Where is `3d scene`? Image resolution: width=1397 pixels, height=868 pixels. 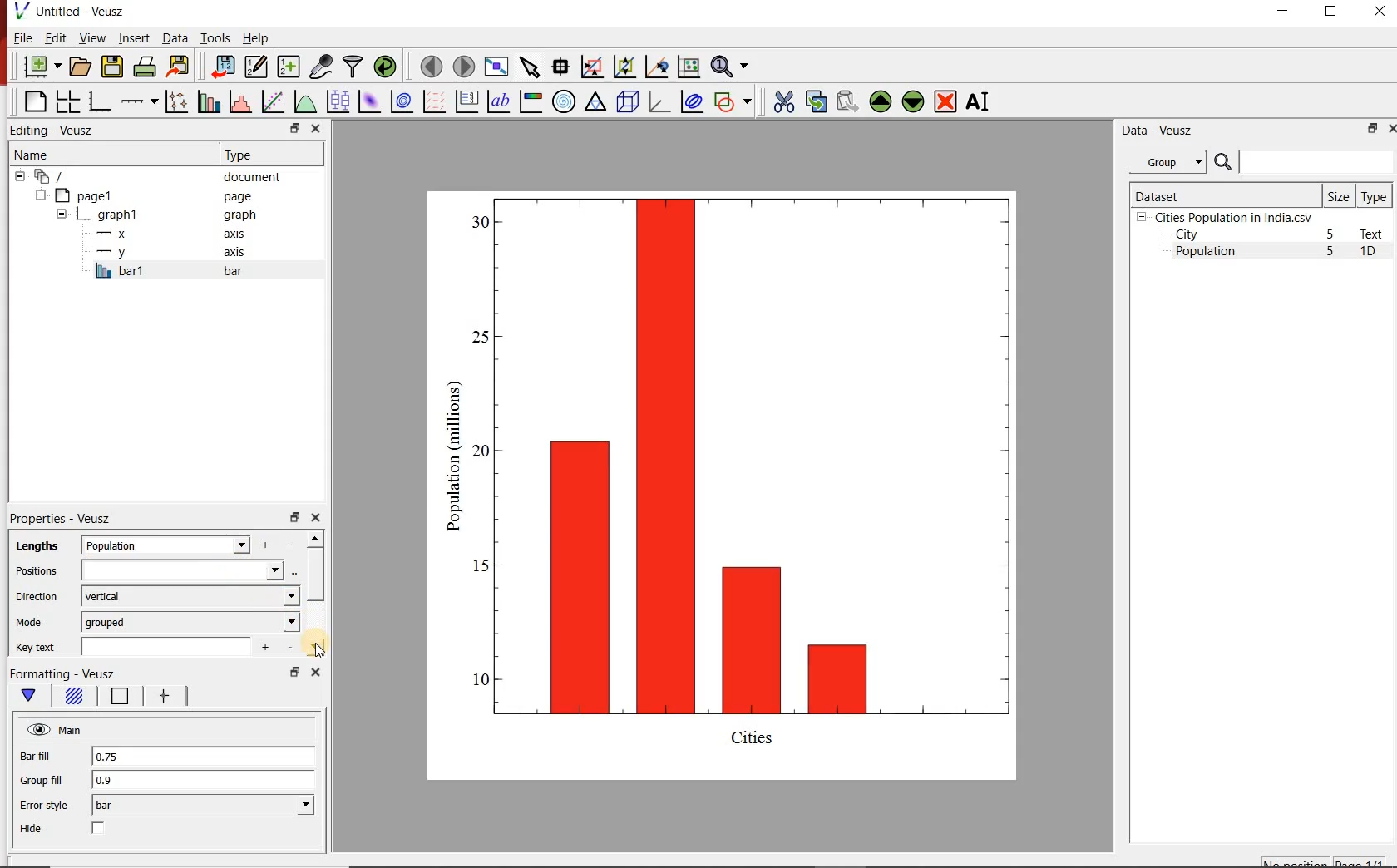
3d scene is located at coordinates (626, 101).